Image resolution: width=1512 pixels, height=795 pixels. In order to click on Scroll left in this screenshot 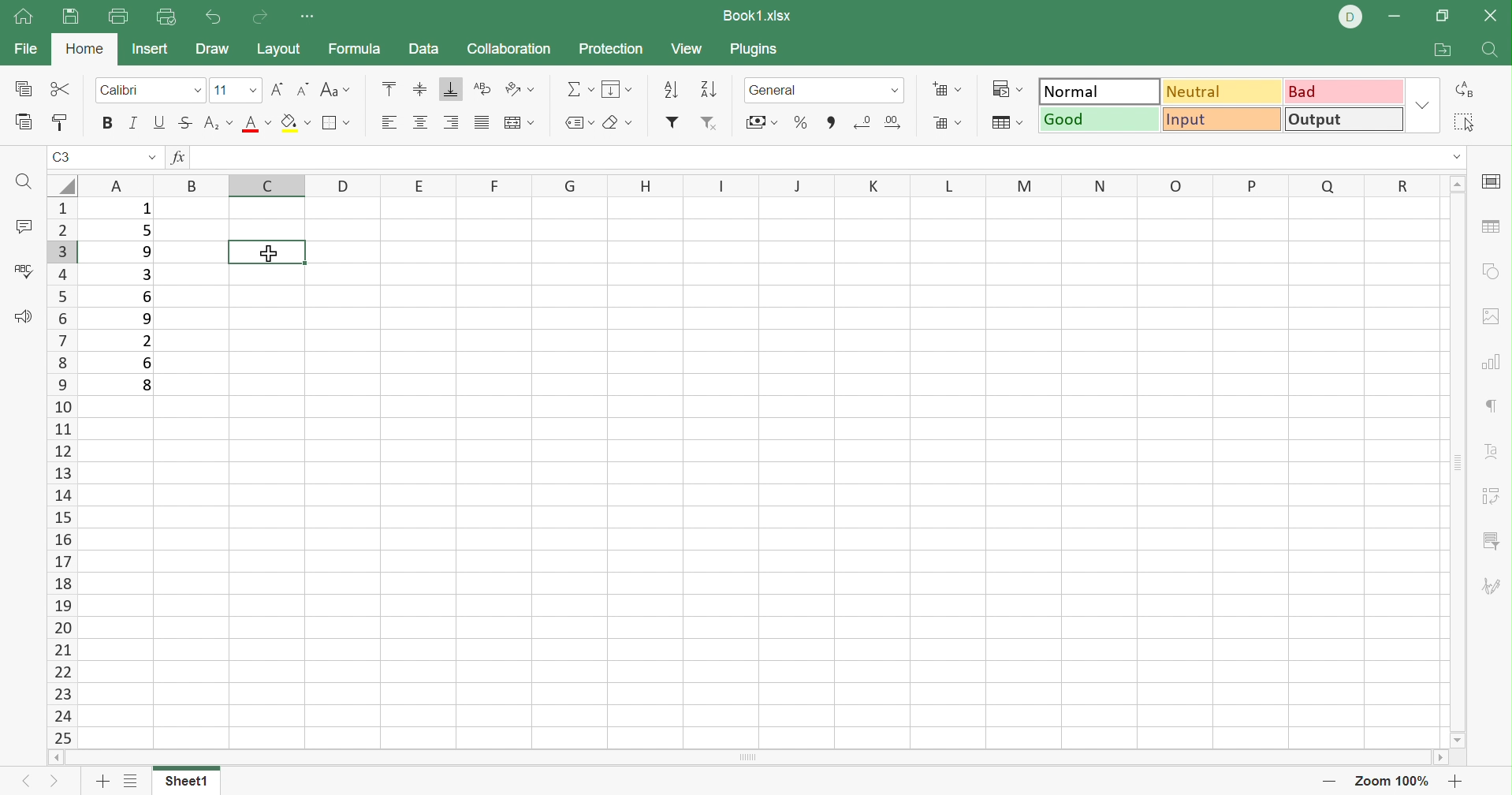, I will do `click(49, 756)`.